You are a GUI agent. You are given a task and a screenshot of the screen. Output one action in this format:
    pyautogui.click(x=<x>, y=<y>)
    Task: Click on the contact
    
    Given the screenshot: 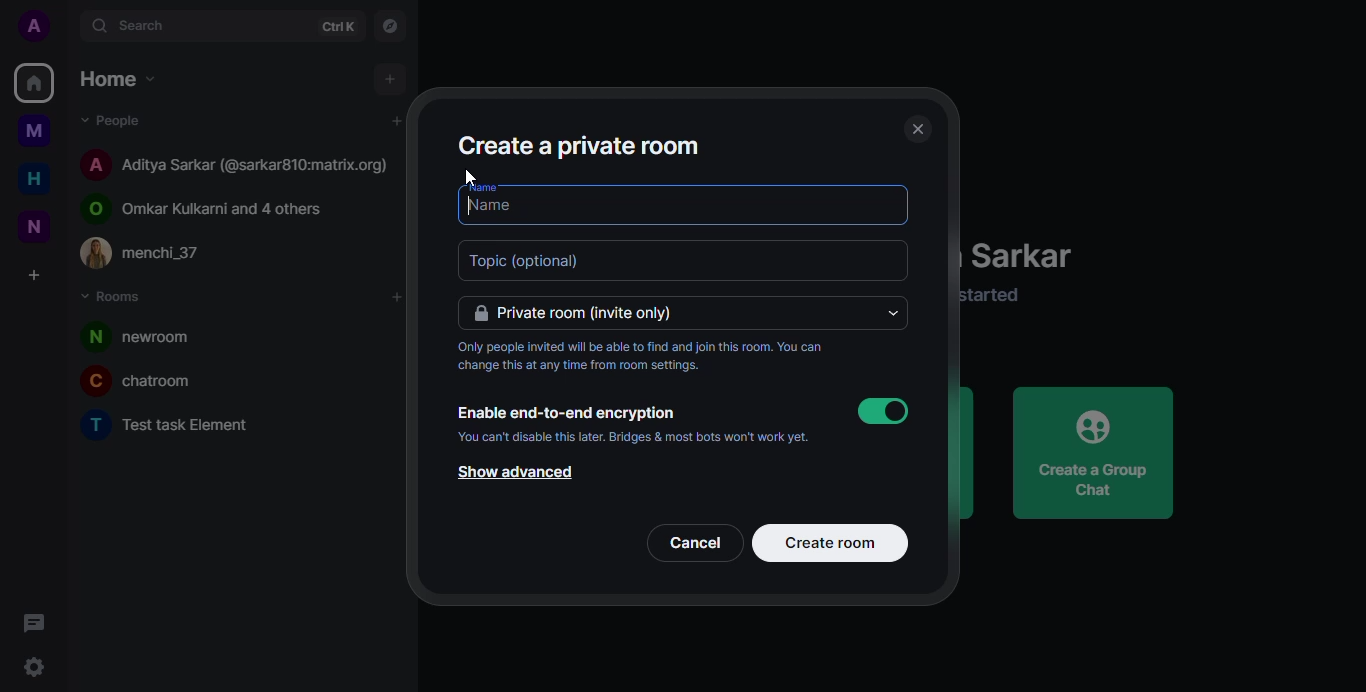 What is the action you would take?
    pyautogui.click(x=156, y=255)
    